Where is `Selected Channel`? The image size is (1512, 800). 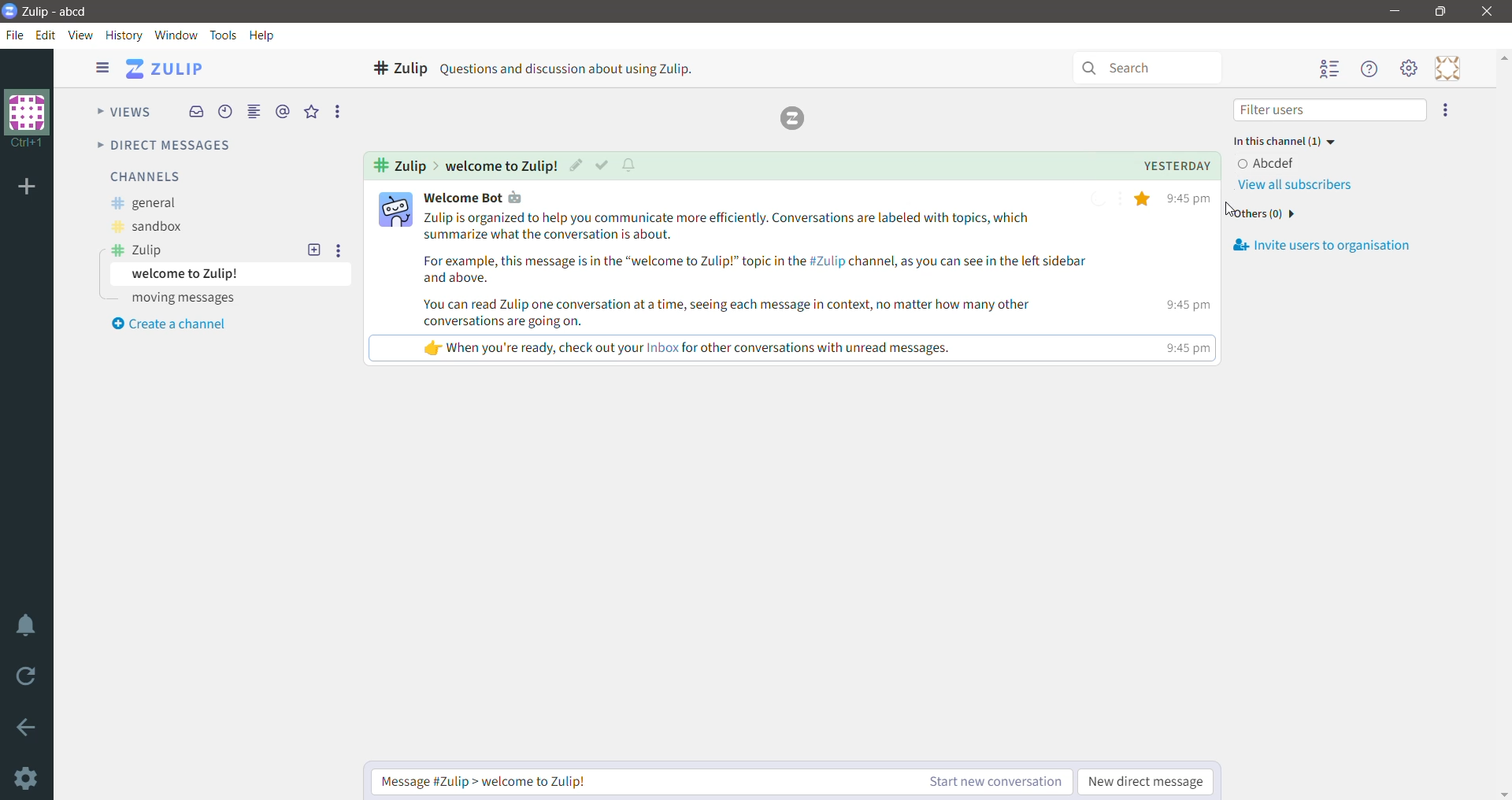 Selected Channel is located at coordinates (399, 166).